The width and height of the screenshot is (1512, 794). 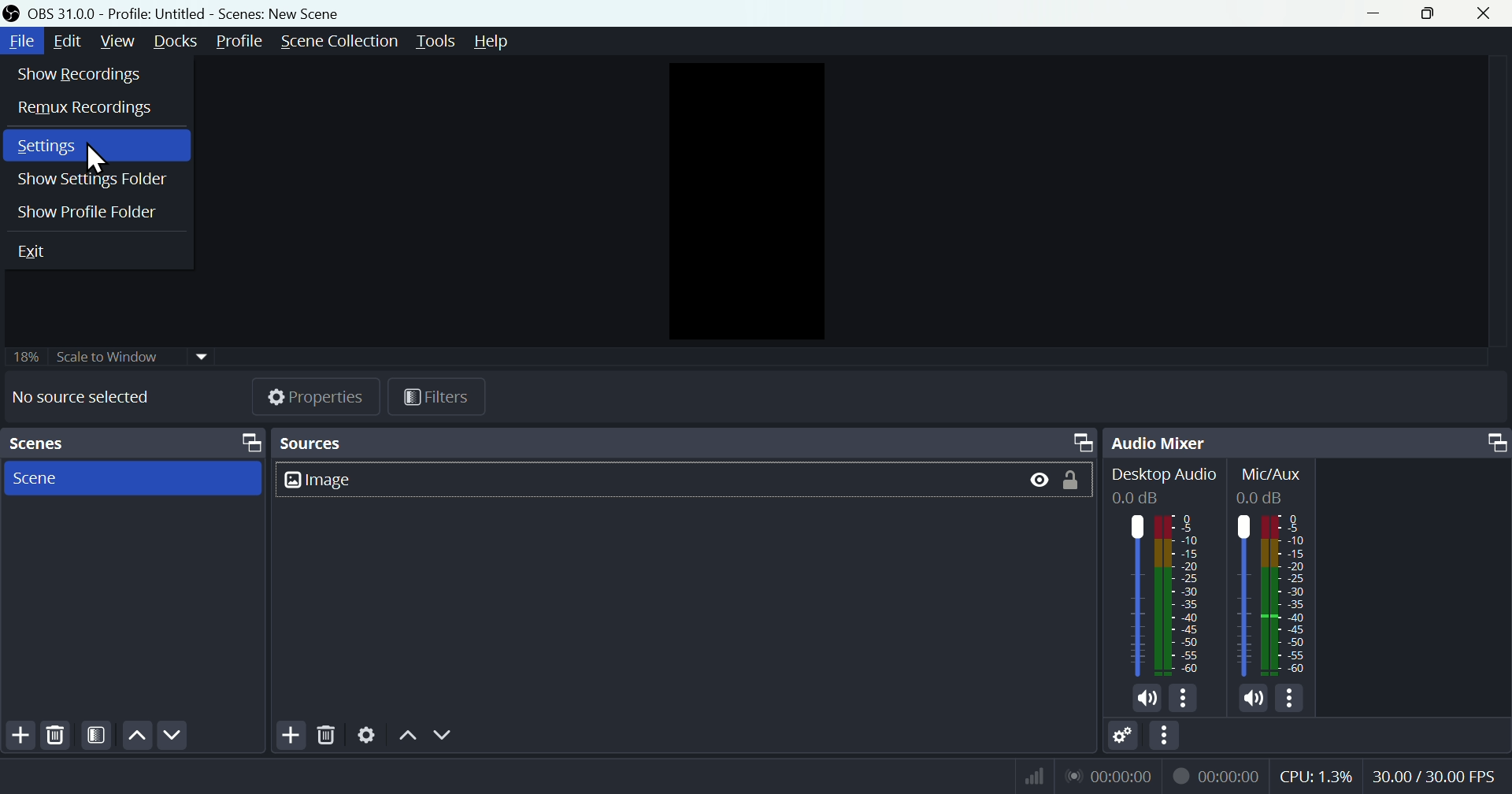 What do you see at coordinates (343, 43) in the screenshot?
I see `Scene collection` at bounding box center [343, 43].